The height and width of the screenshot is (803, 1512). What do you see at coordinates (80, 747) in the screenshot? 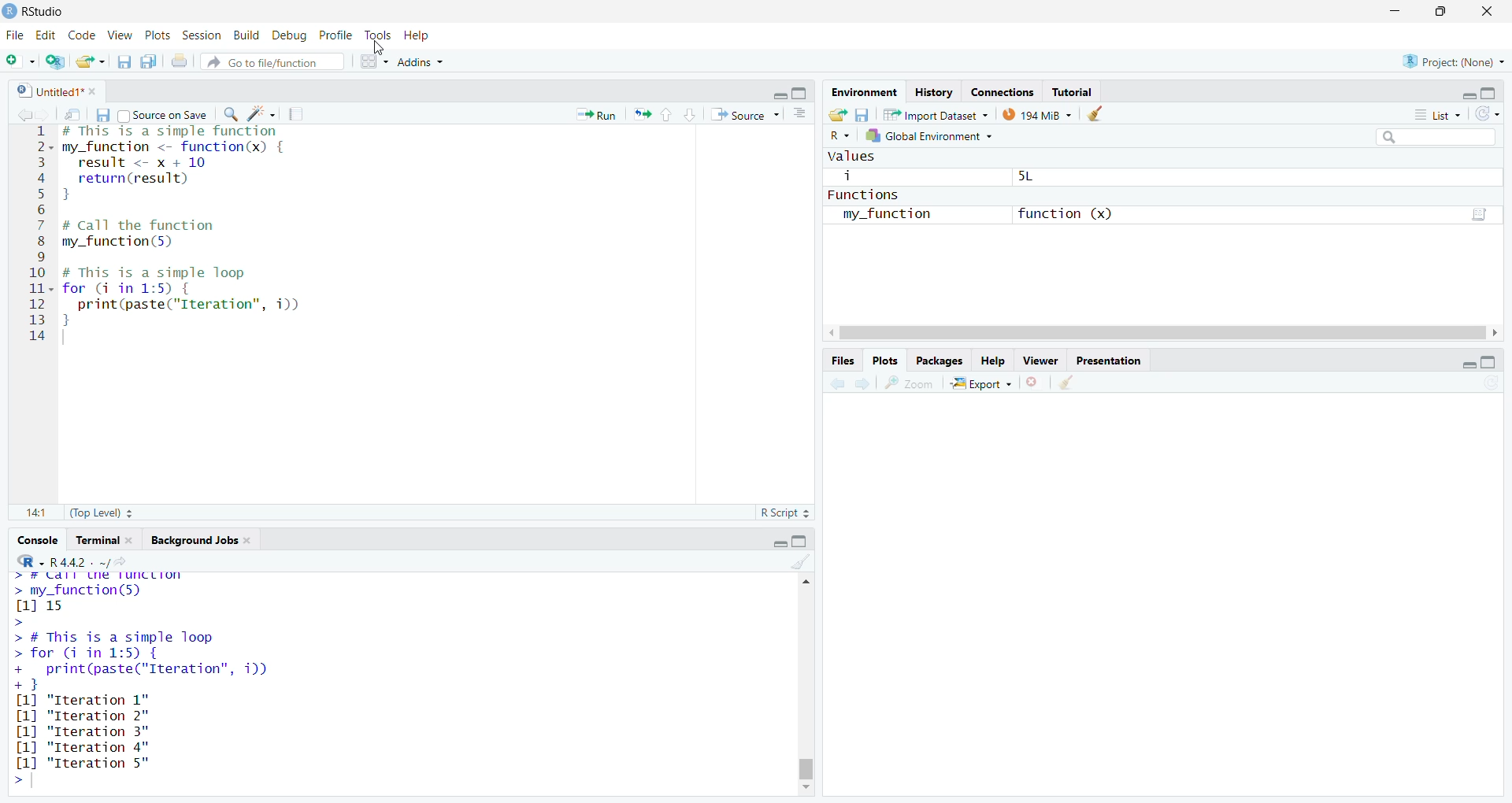
I see `[1] "Iteration 3"` at bounding box center [80, 747].